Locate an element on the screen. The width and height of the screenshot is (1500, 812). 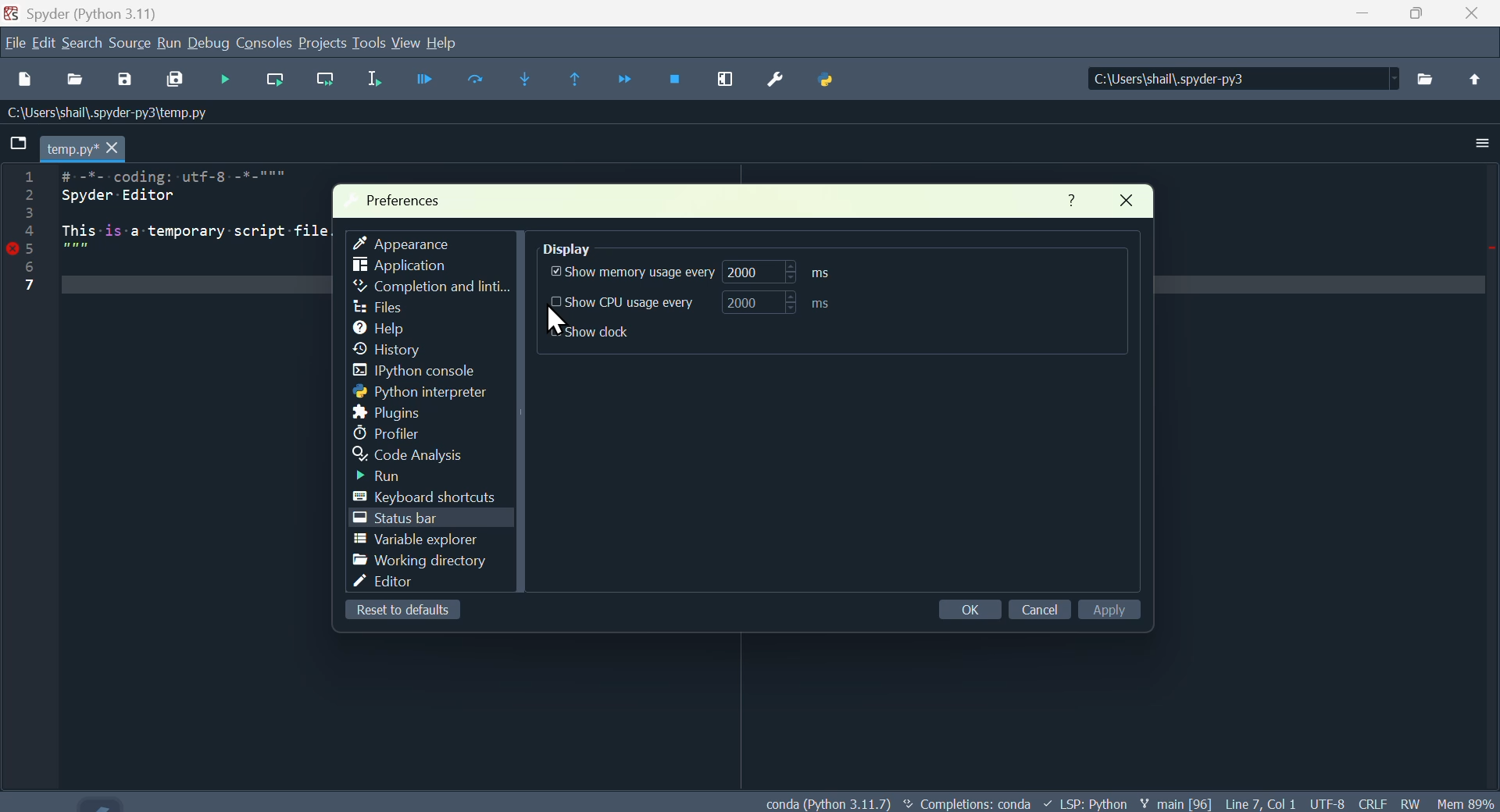
Run current line and go to the next one is located at coordinates (326, 77).